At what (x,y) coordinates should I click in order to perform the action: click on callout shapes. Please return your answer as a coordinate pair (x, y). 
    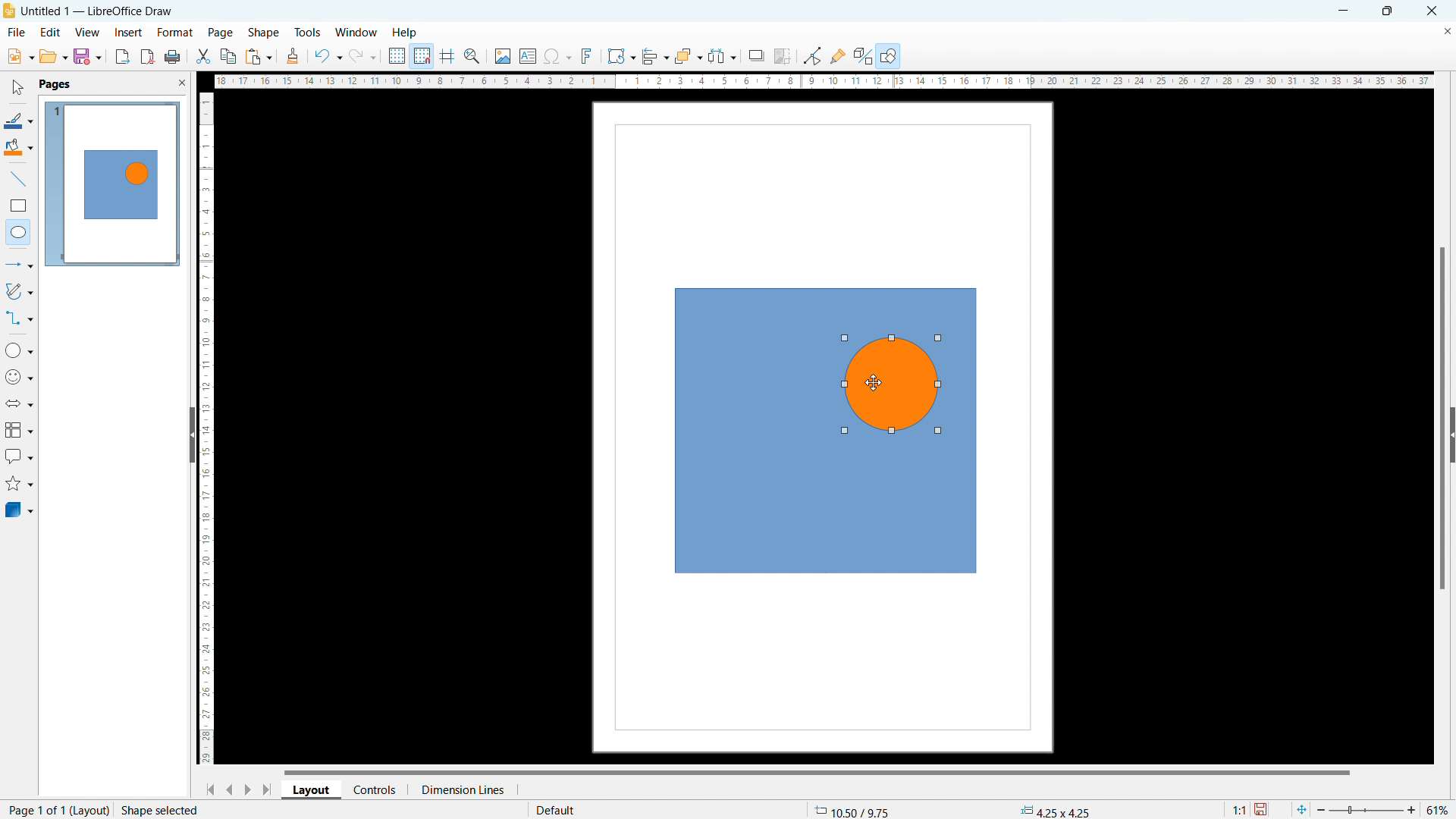
    Looking at the image, I should click on (20, 457).